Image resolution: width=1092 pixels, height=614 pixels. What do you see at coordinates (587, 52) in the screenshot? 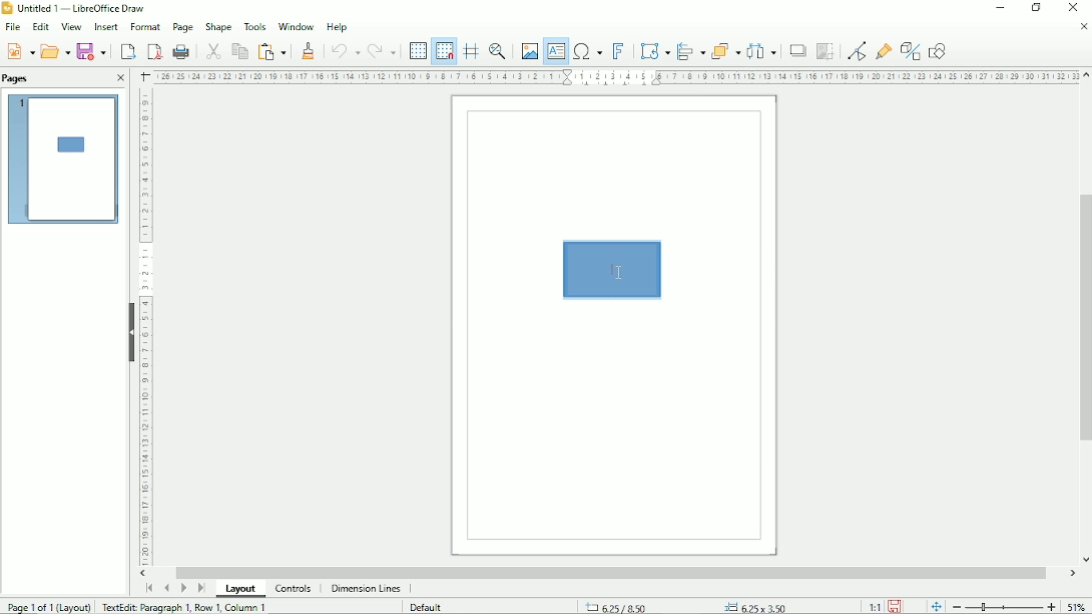
I see `Insert special characters` at bounding box center [587, 52].